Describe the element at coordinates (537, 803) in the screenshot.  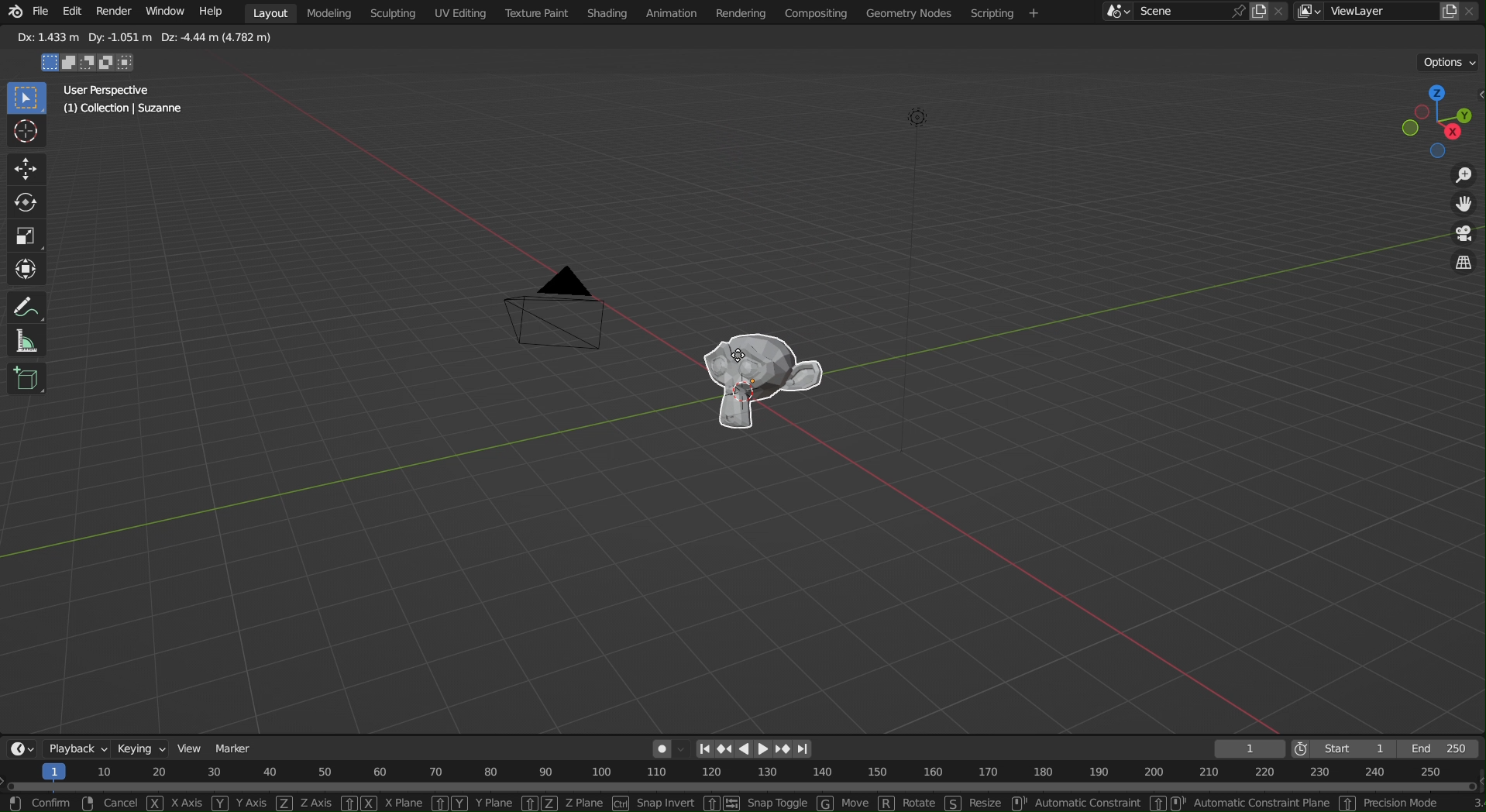
I see `shift and Z` at that location.